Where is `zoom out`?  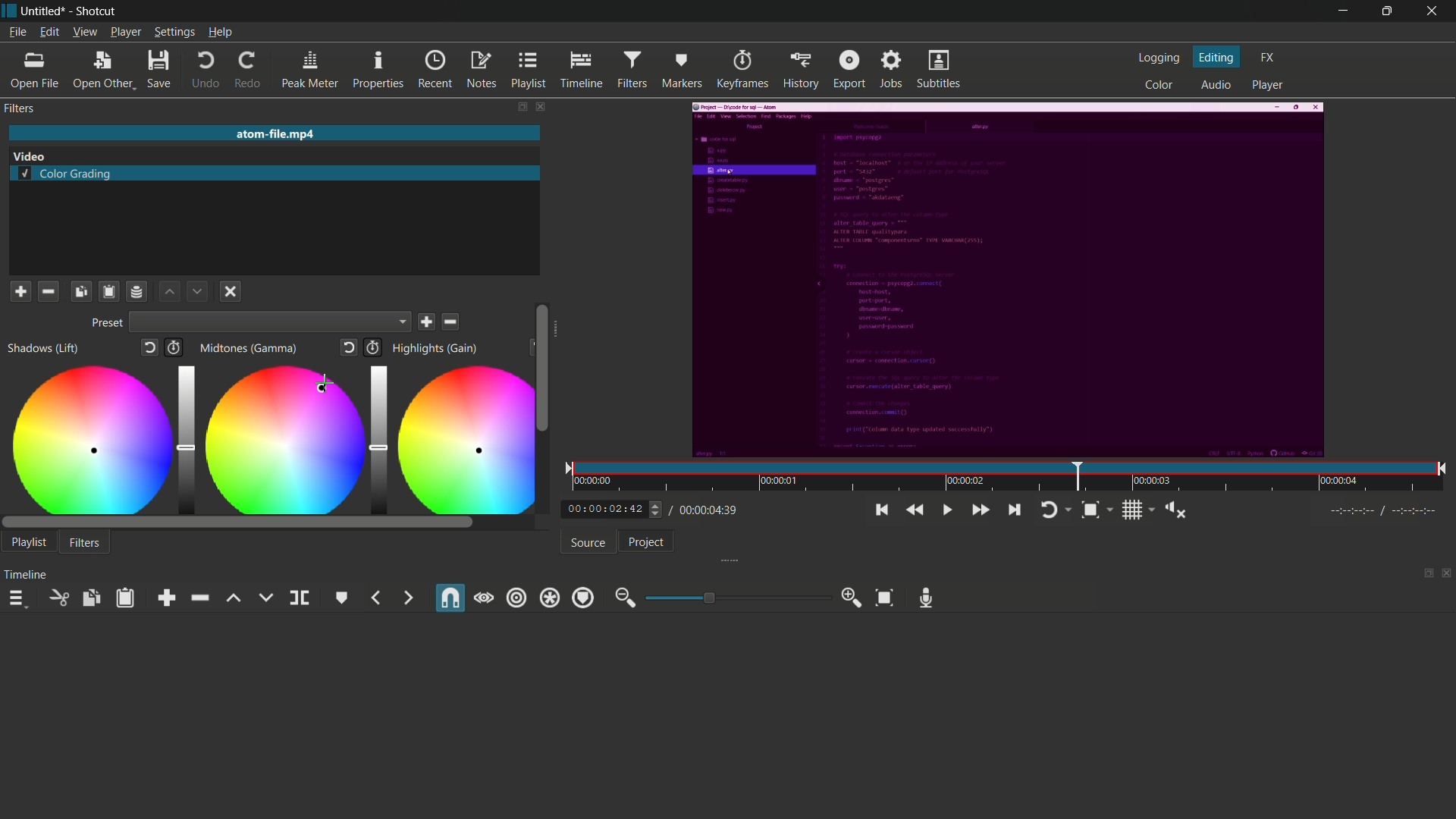
zoom out is located at coordinates (624, 598).